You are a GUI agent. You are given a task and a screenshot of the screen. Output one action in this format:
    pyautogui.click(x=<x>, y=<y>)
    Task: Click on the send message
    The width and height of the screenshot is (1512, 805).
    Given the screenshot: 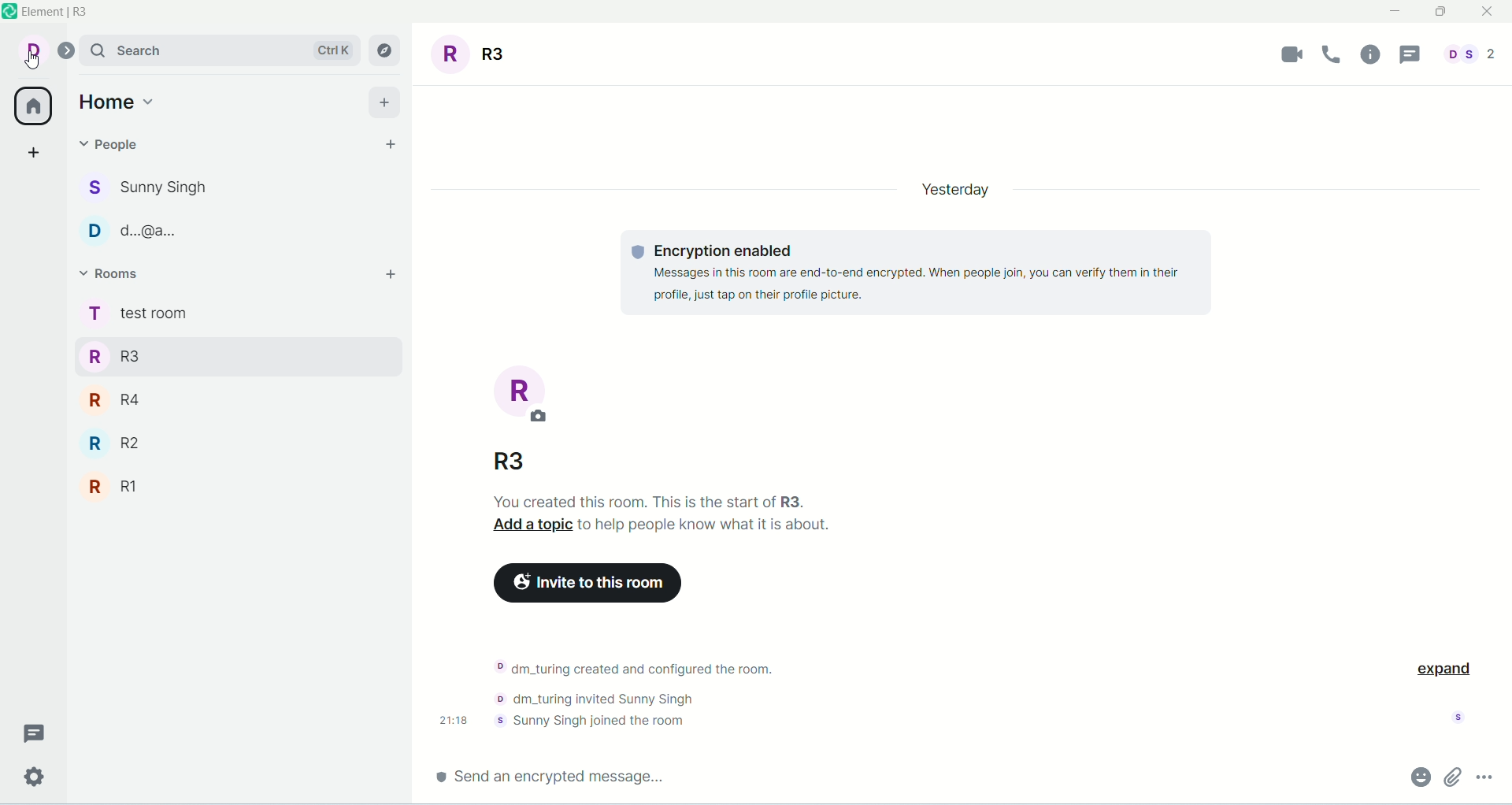 What is the action you would take?
    pyautogui.click(x=556, y=774)
    